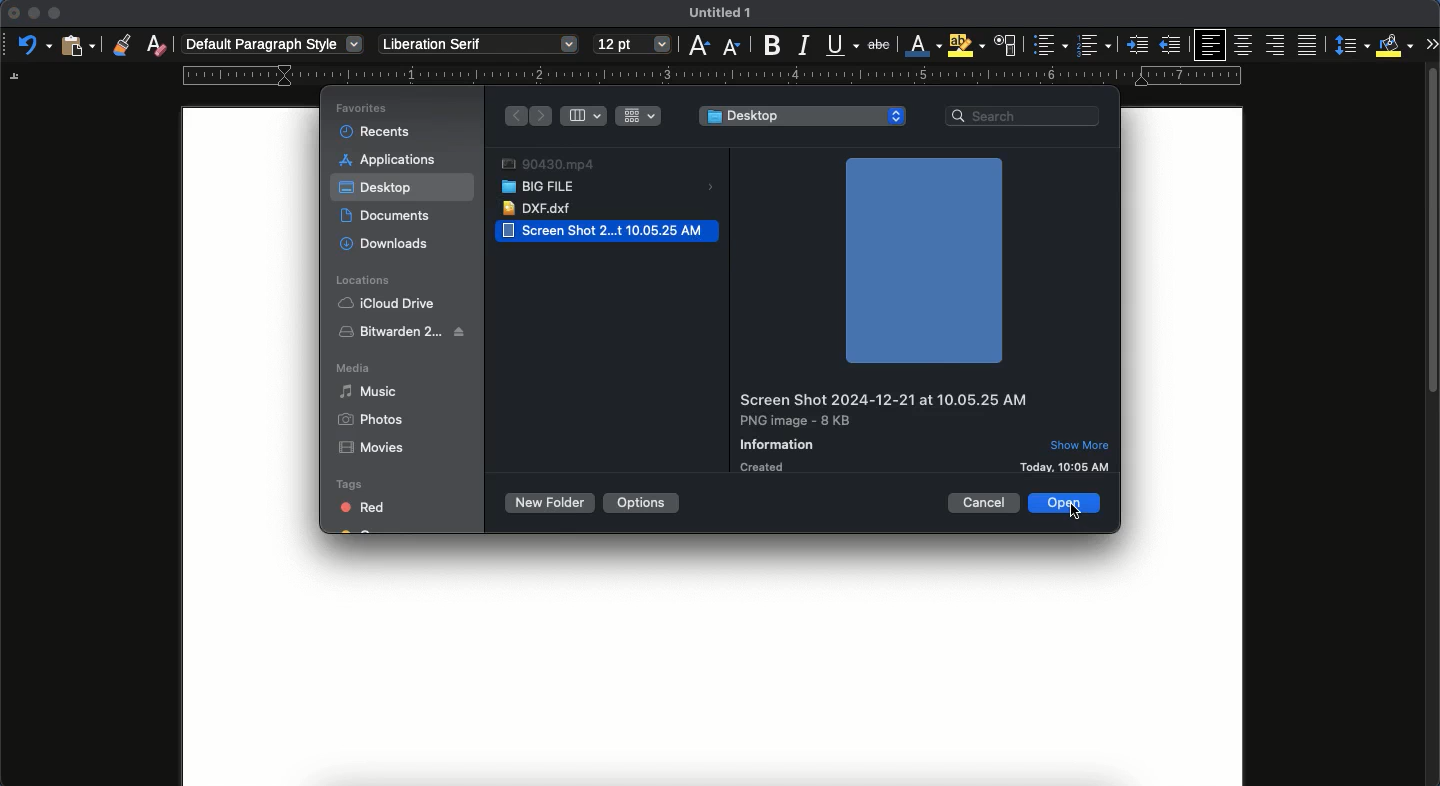 The height and width of the screenshot is (786, 1440). What do you see at coordinates (1348, 45) in the screenshot?
I see `paragraph spacing` at bounding box center [1348, 45].